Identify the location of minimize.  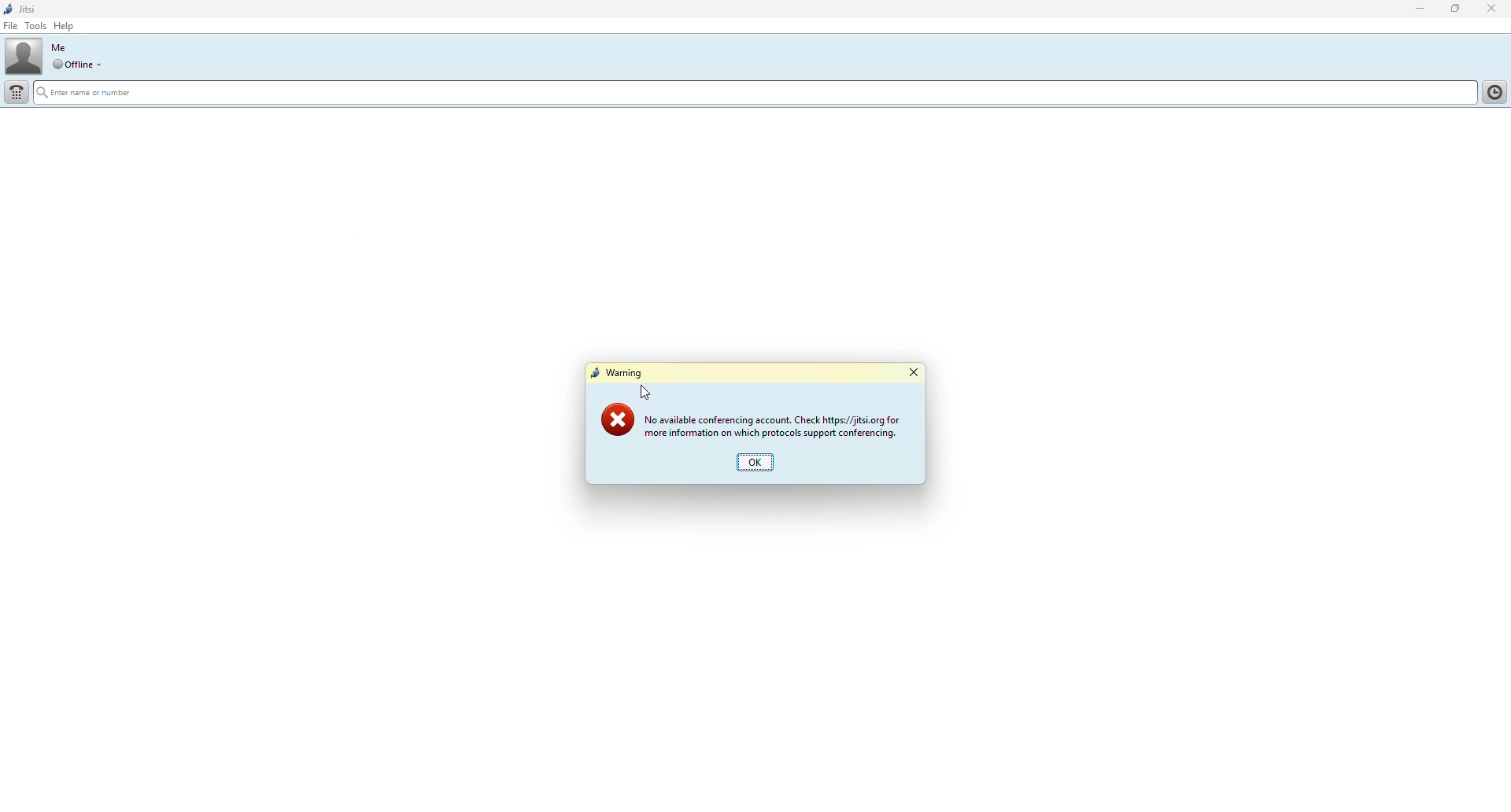
(1419, 9).